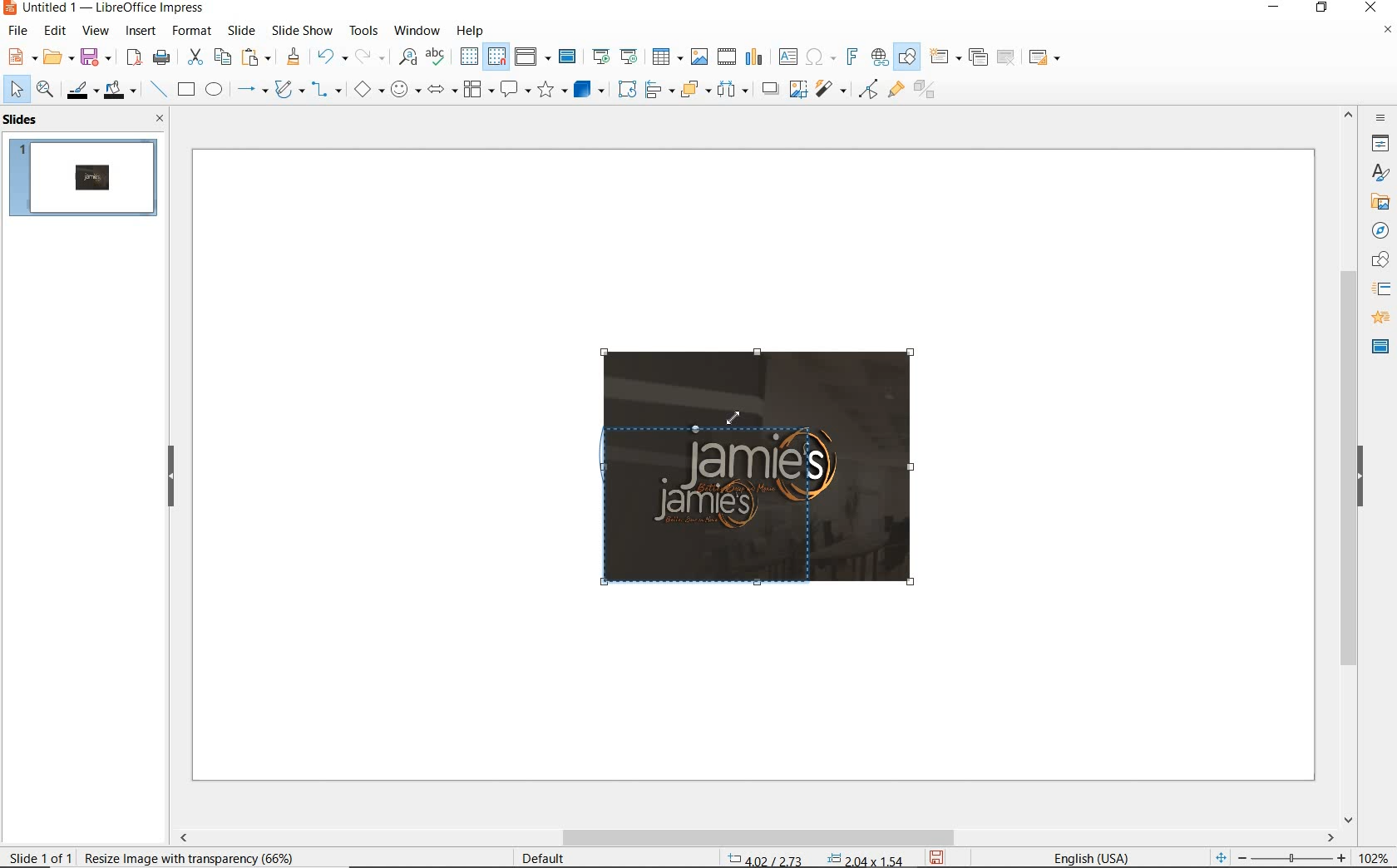 This screenshot has width=1397, height=868. What do you see at coordinates (405, 89) in the screenshot?
I see `symbol shapes` at bounding box center [405, 89].